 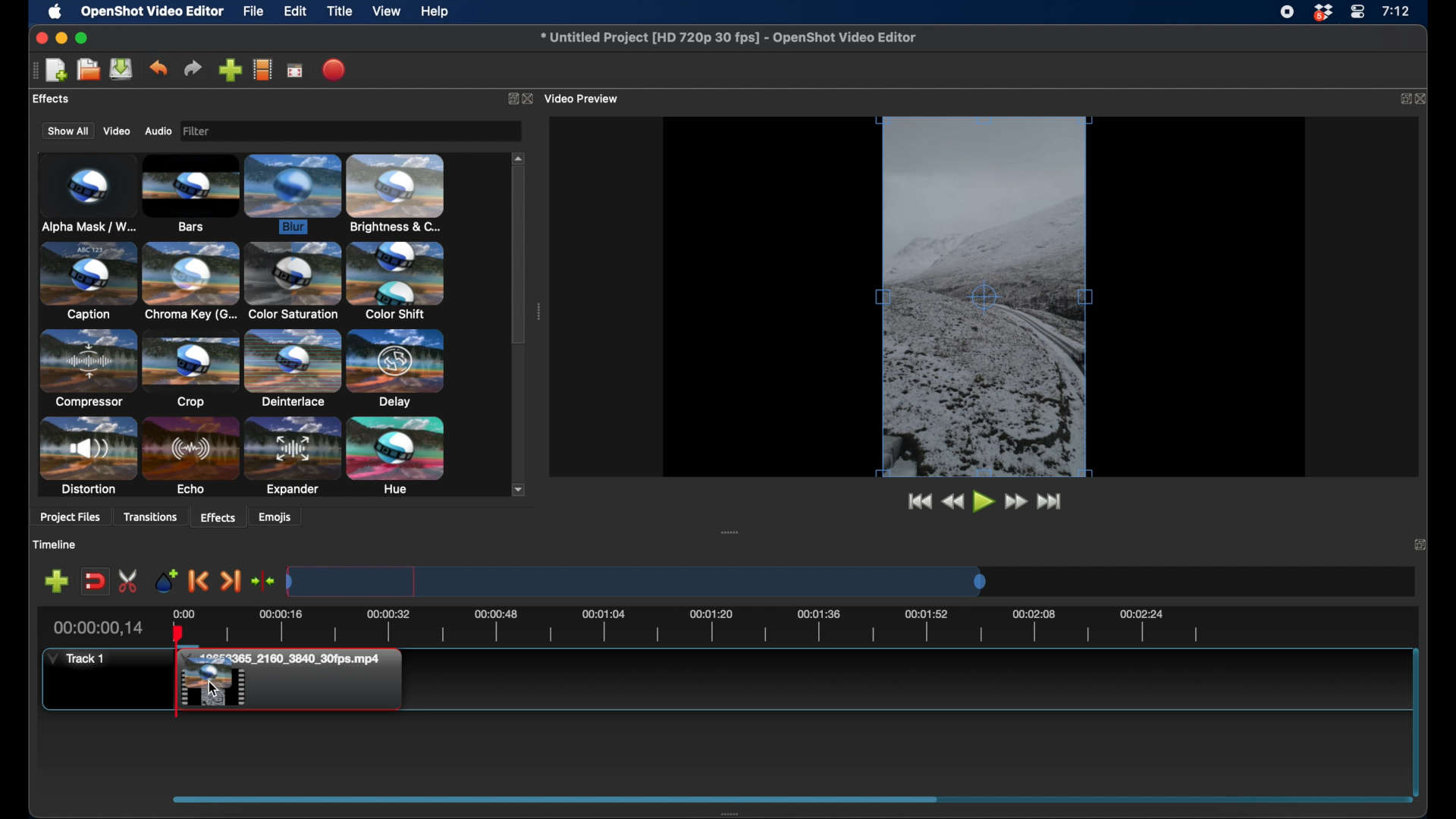 I want to click on play, so click(x=984, y=504).